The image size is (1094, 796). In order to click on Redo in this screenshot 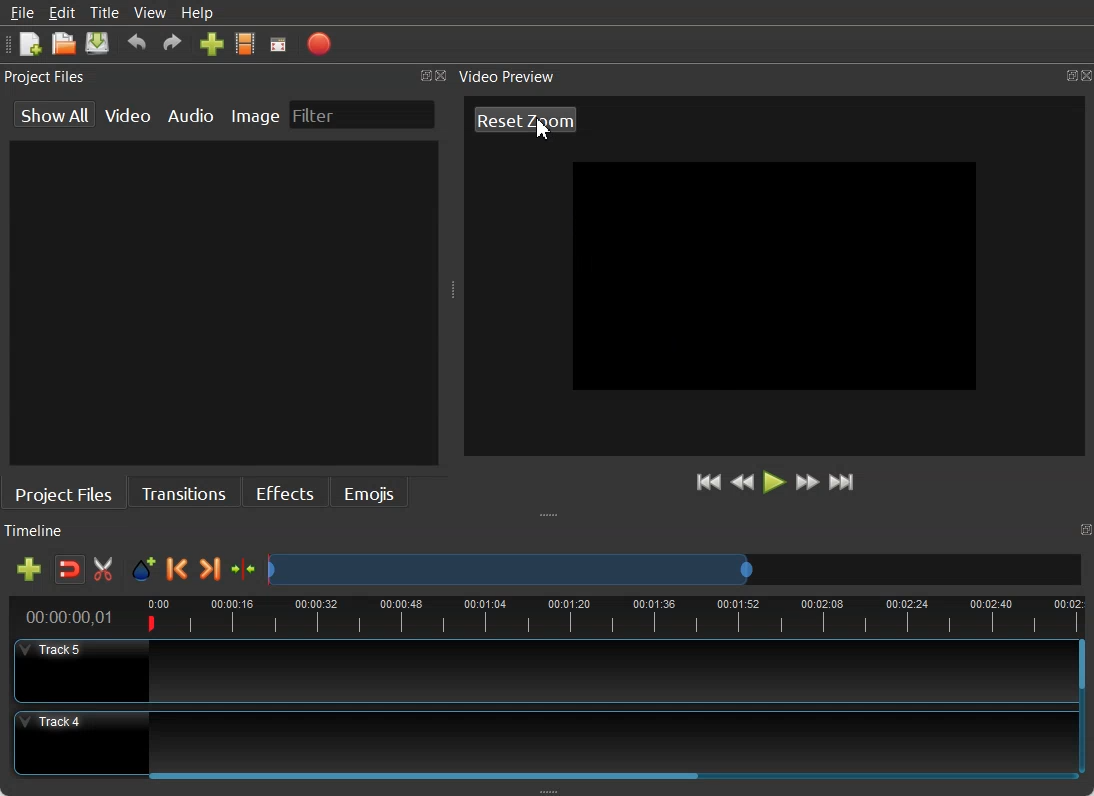, I will do `click(171, 42)`.